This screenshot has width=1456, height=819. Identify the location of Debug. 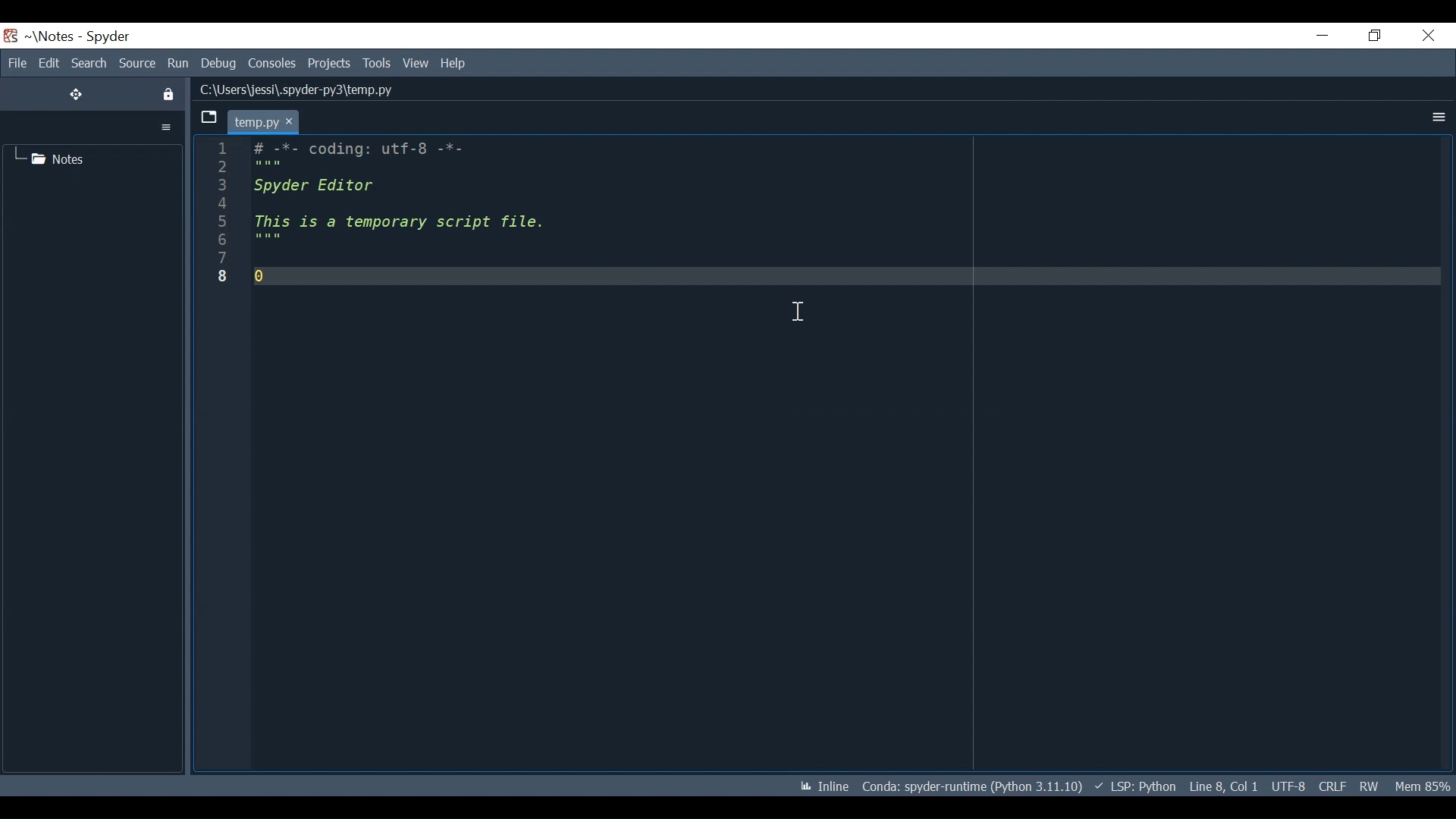
(219, 64).